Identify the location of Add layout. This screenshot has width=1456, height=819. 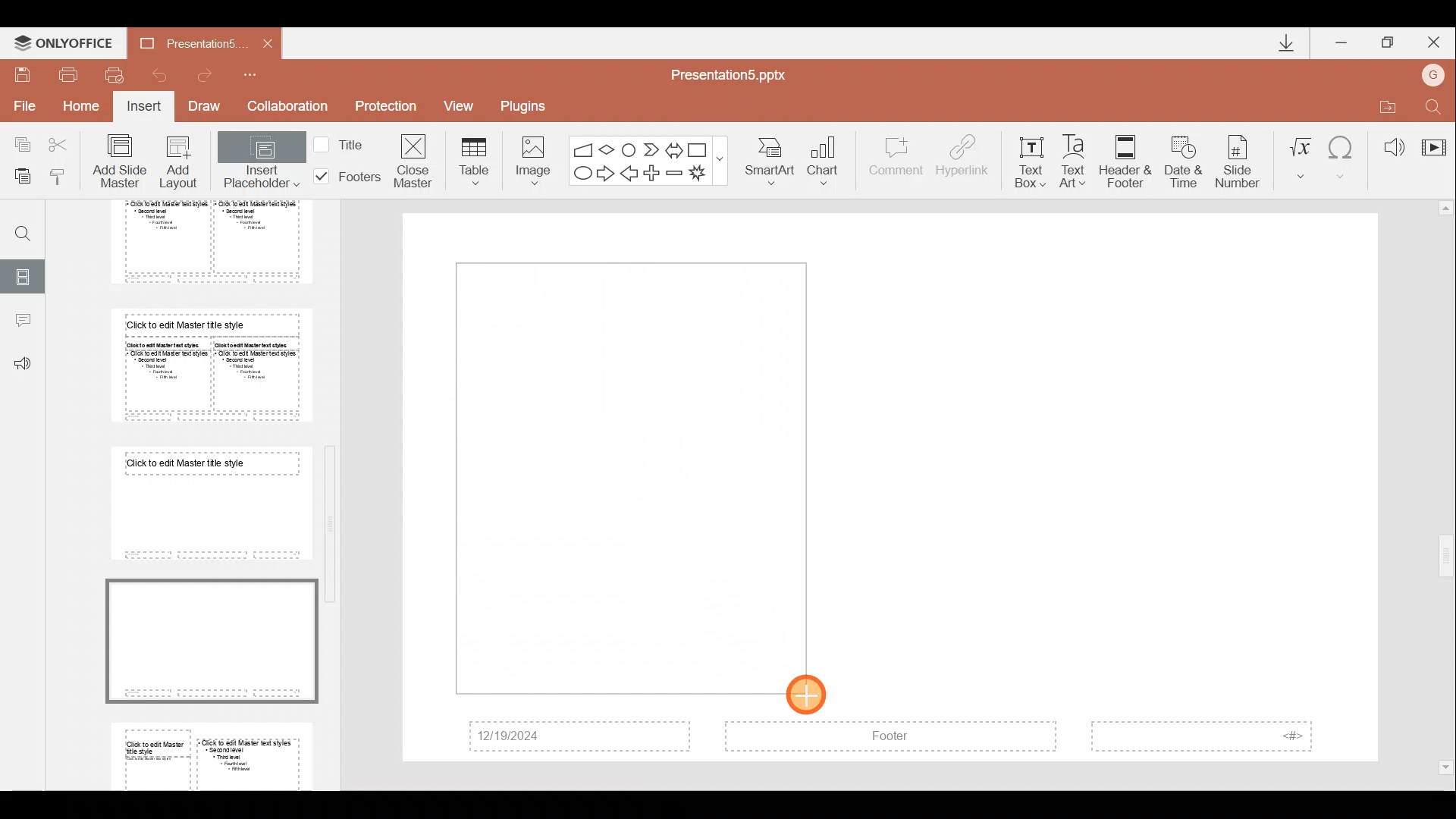
(179, 165).